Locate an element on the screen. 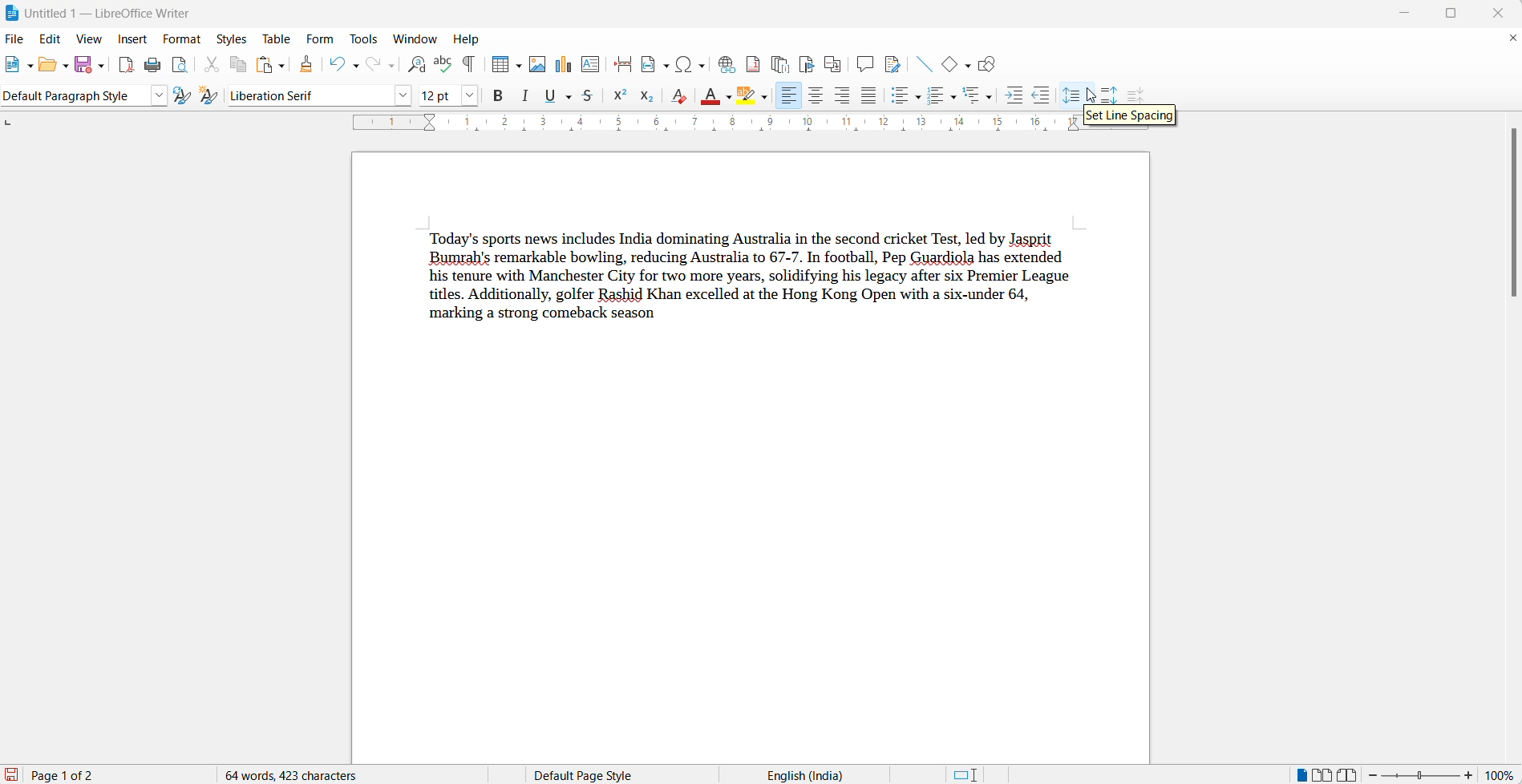 The width and height of the screenshot is (1522, 784). cursor is located at coordinates (1091, 90).